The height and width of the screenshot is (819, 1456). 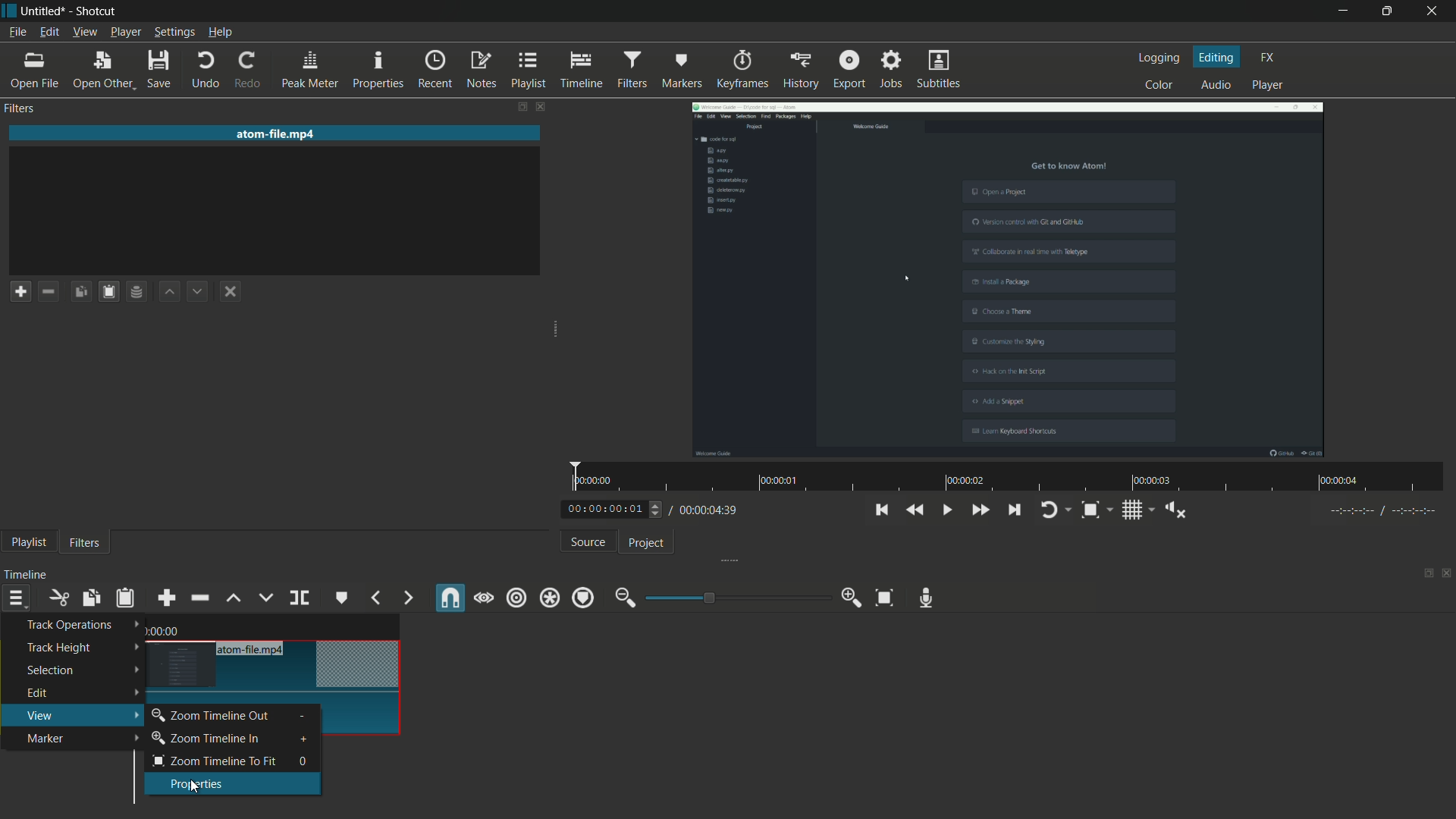 What do you see at coordinates (543, 106) in the screenshot?
I see `close filters` at bounding box center [543, 106].